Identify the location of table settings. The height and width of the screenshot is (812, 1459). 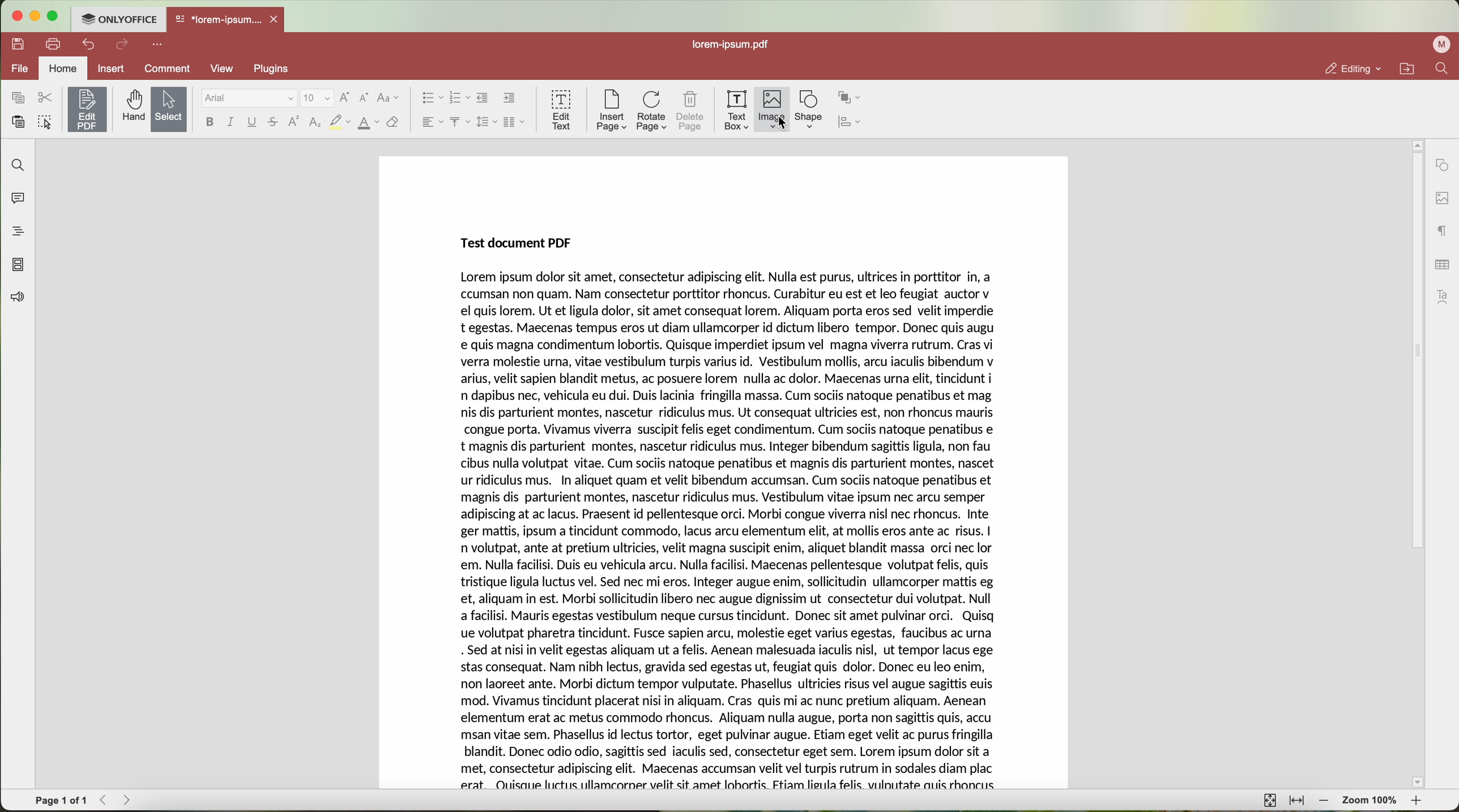
(1442, 264).